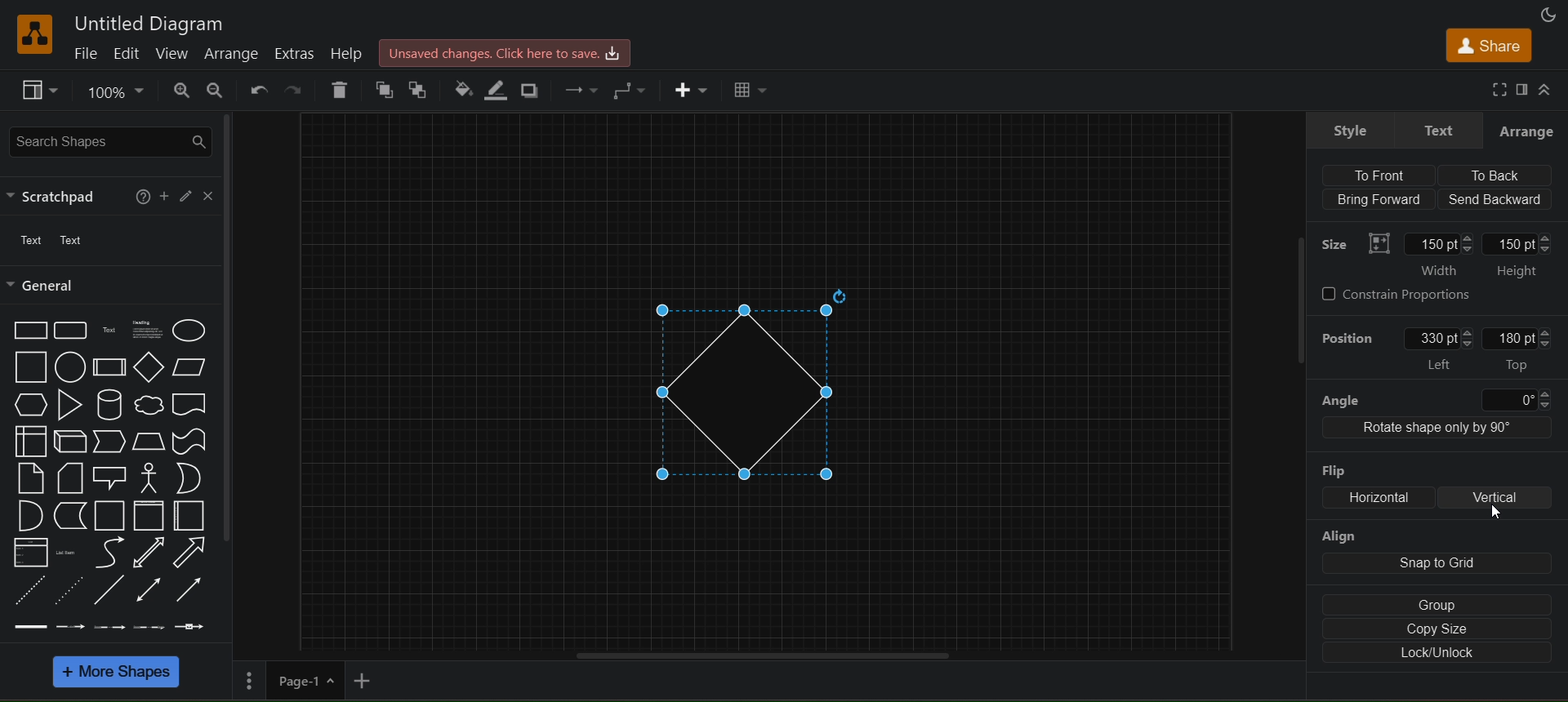  What do you see at coordinates (109, 474) in the screenshot?
I see `callout` at bounding box center [109, 474].